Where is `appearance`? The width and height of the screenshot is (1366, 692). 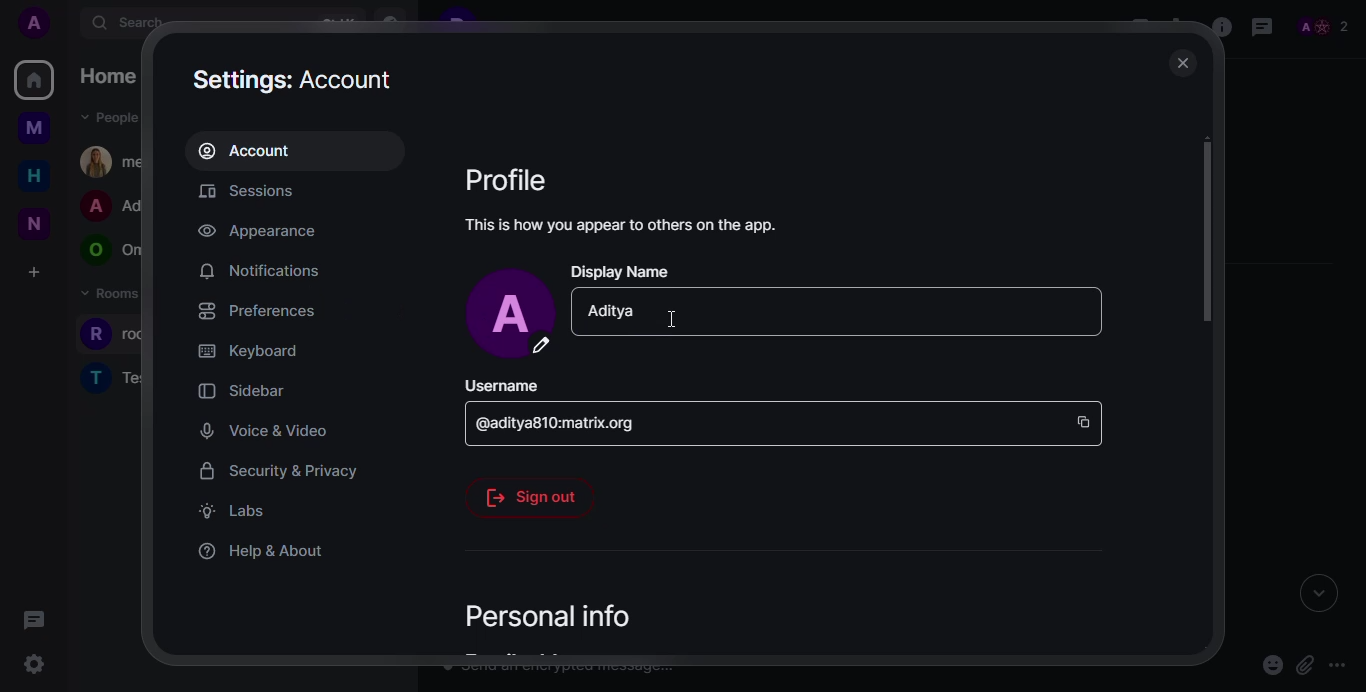 appearance is located at coordinates (258, 231).